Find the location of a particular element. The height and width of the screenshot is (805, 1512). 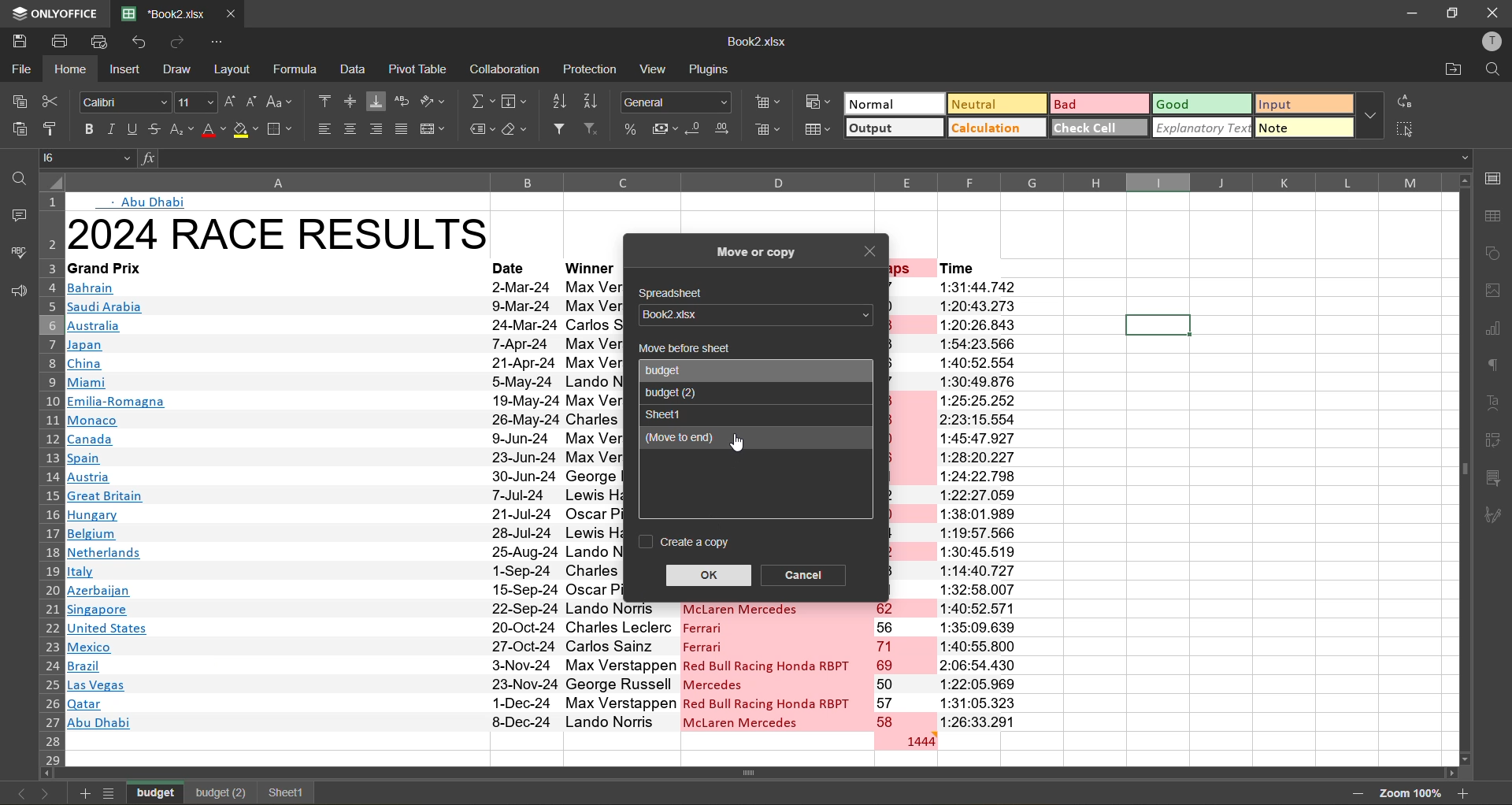

cell address is located at coordinates (90, 157).